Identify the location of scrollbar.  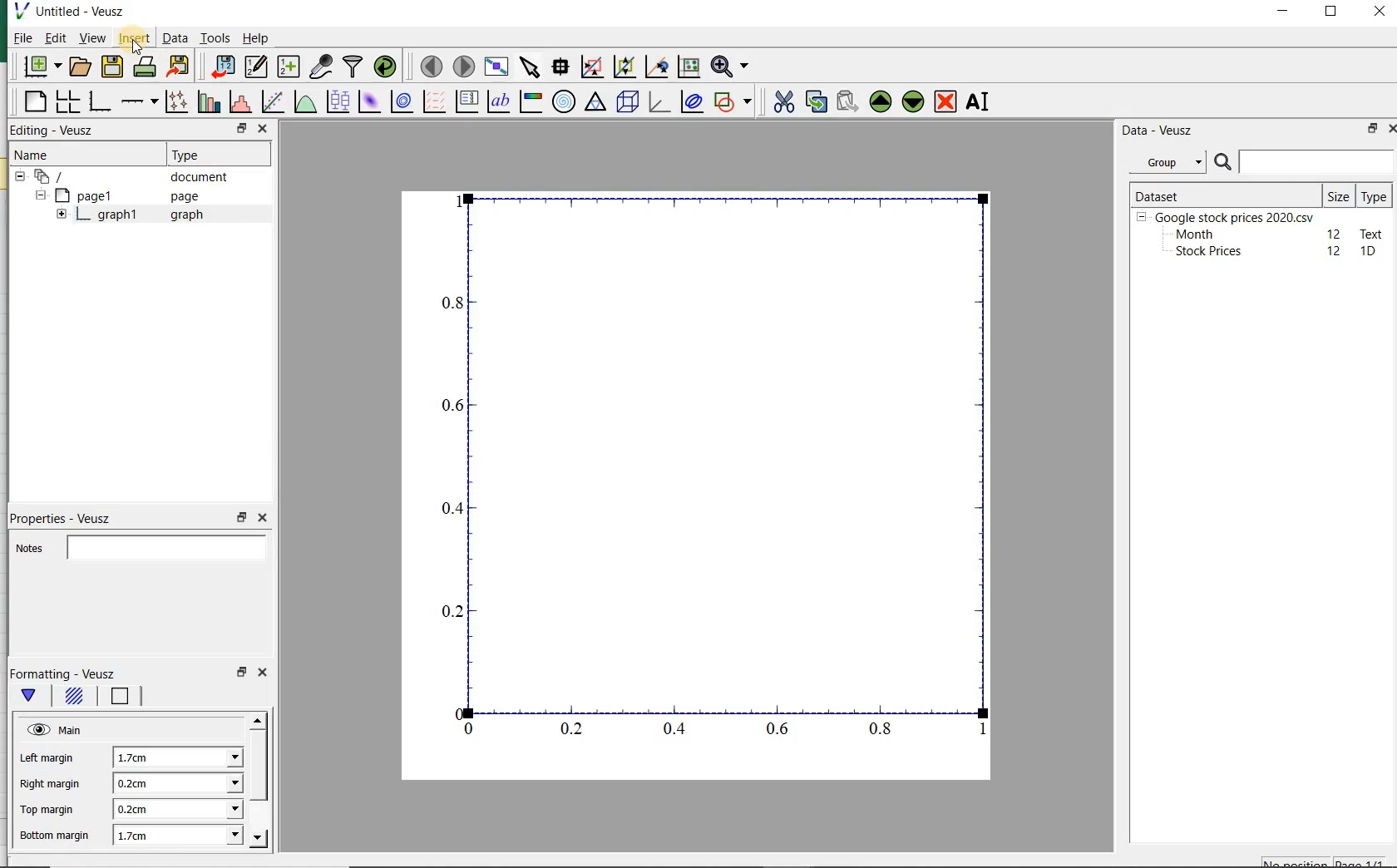
(259, 780).